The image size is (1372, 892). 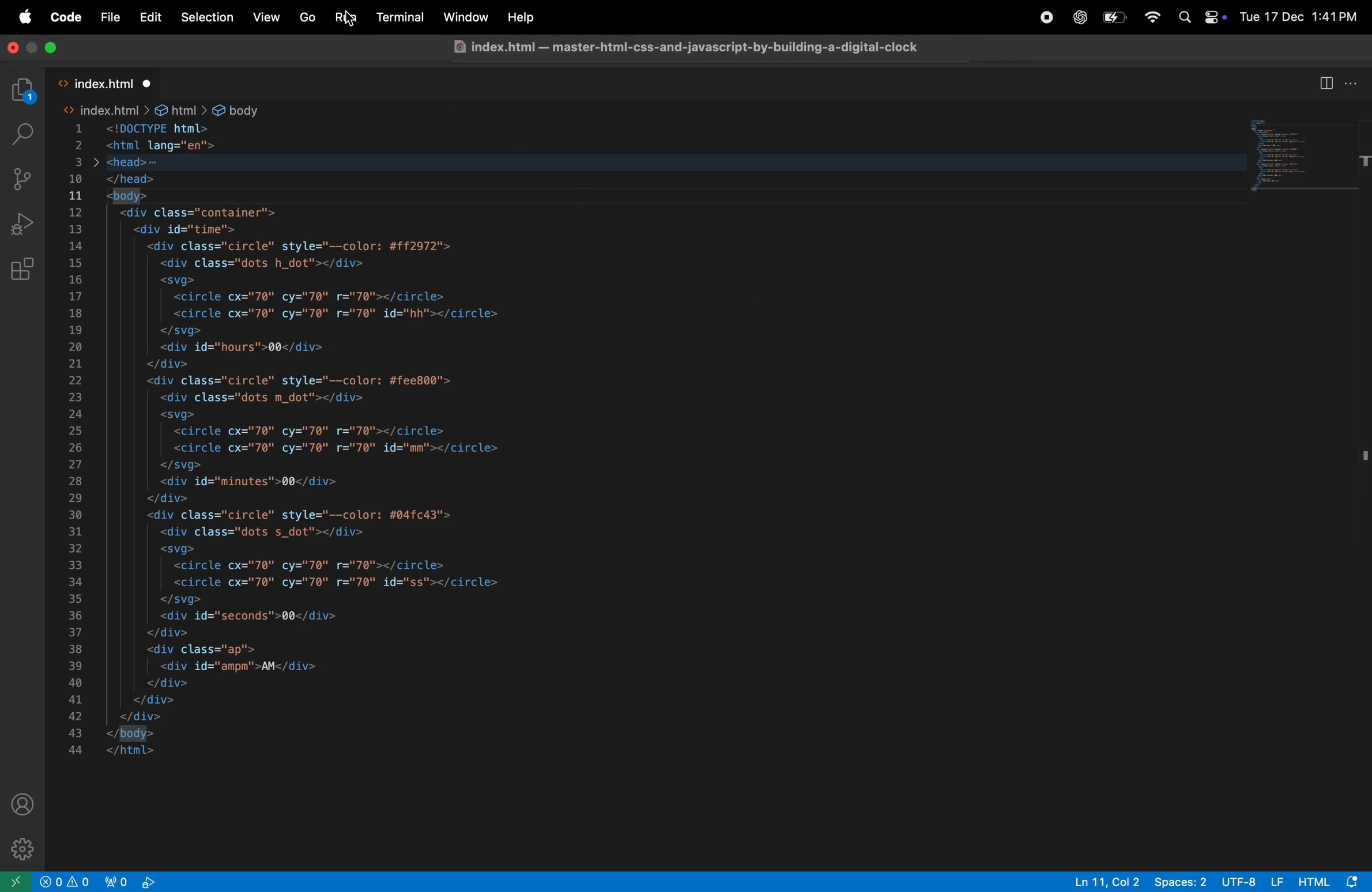 What do you see at coordinates (1254, 881) in the screenshot?
I see `Utf -8` at bounding box center [1254, 881].